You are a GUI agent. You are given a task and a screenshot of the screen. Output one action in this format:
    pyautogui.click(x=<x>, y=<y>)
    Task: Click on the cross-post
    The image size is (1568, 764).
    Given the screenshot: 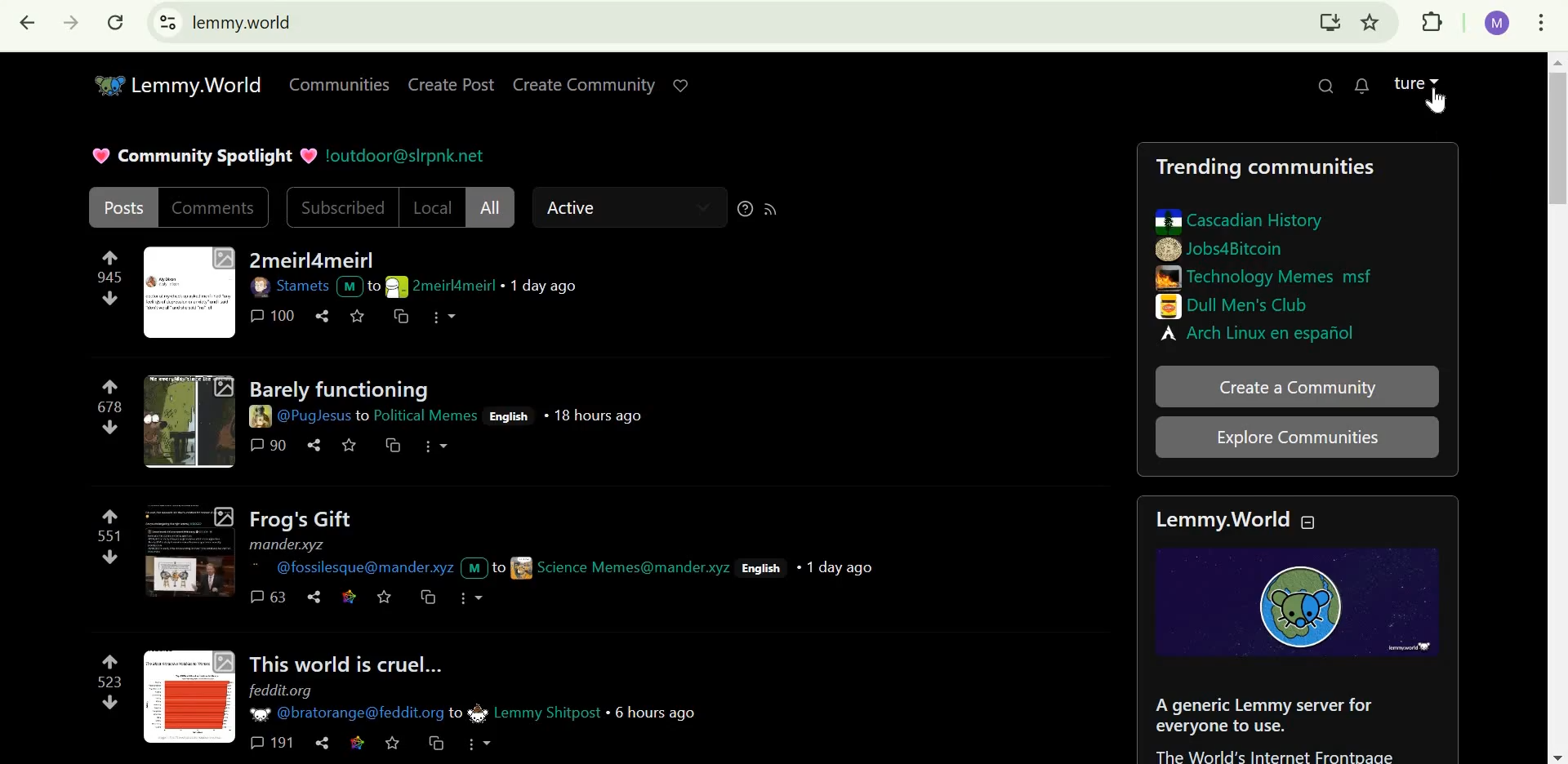 What is the action you would take?
    pyautogui.click(x=425, y=597)
    